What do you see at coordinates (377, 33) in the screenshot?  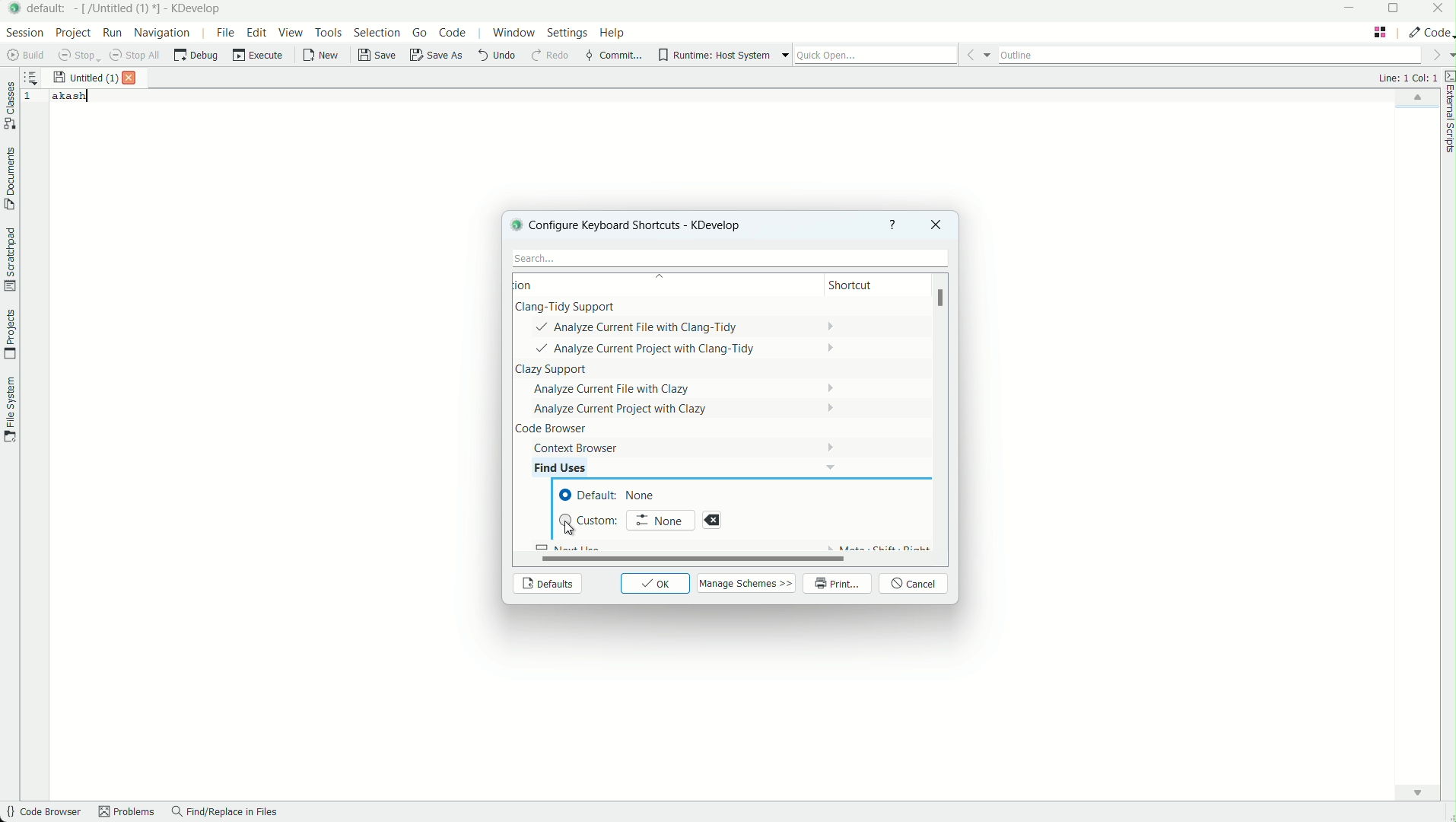 I see `selection menu` at bounding box center [377, 33].